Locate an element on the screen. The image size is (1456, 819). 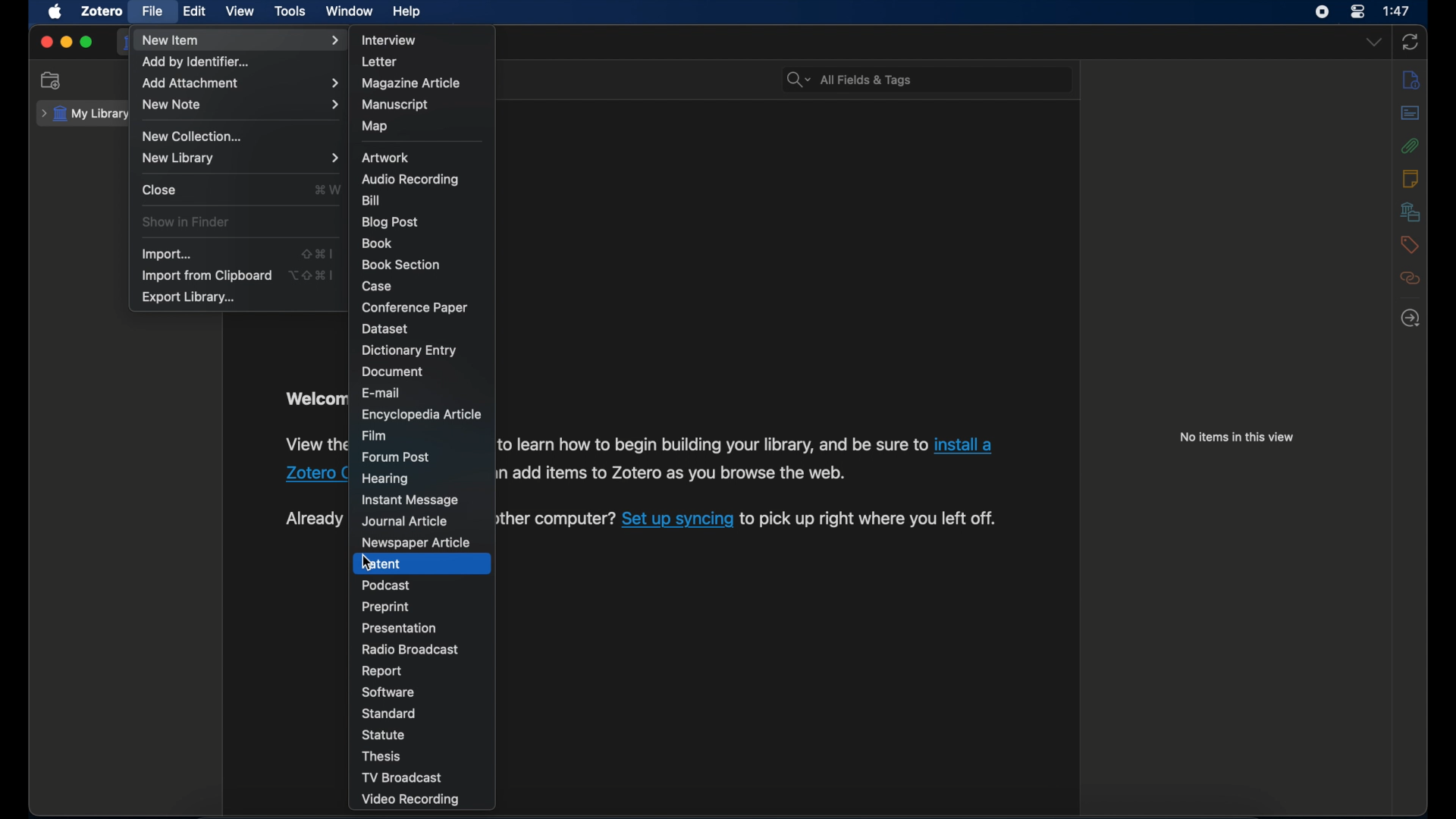
new note is located at coordinates (240, 105).